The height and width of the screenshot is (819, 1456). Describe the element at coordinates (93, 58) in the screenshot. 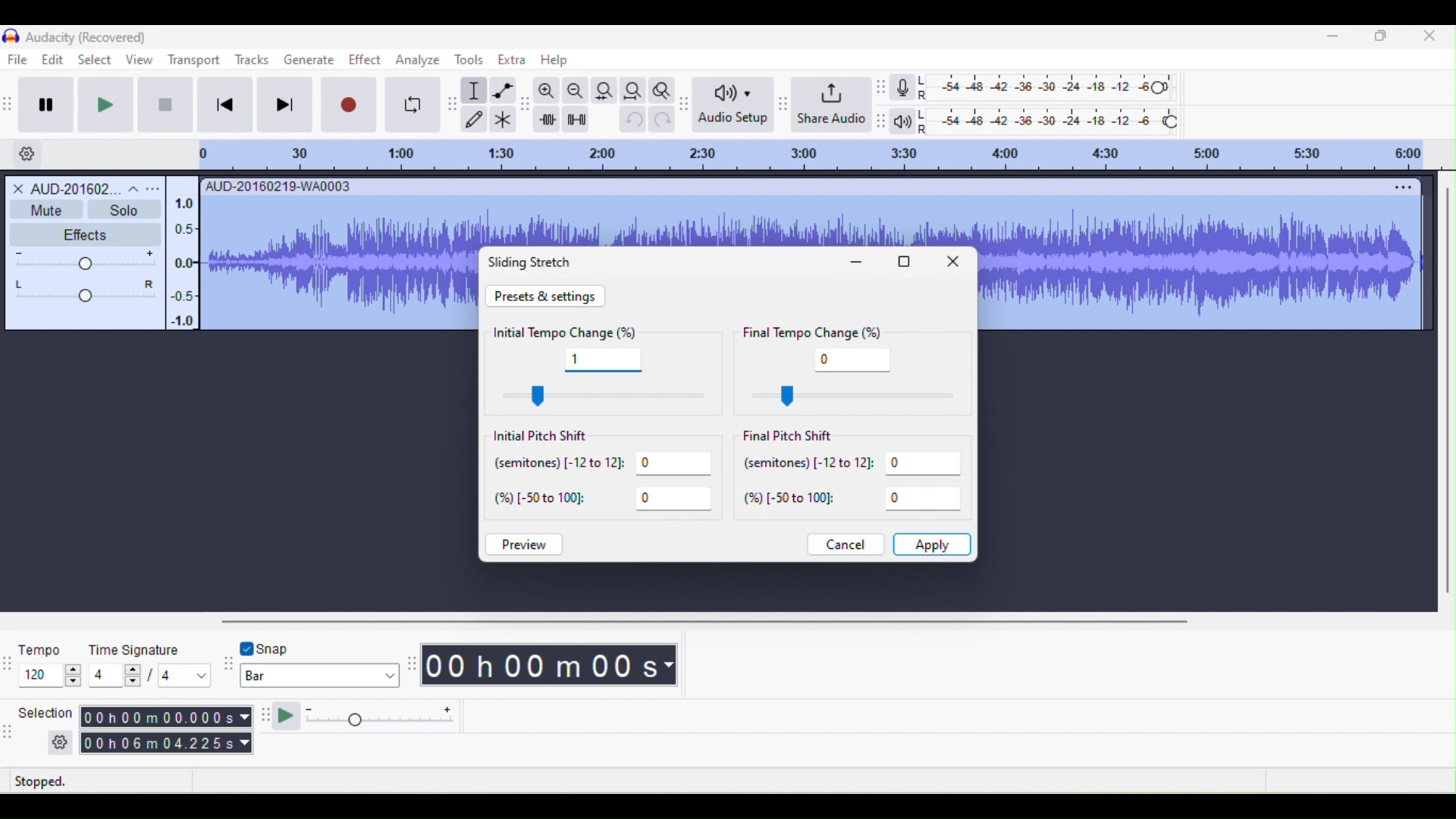

I see `select` at that location.